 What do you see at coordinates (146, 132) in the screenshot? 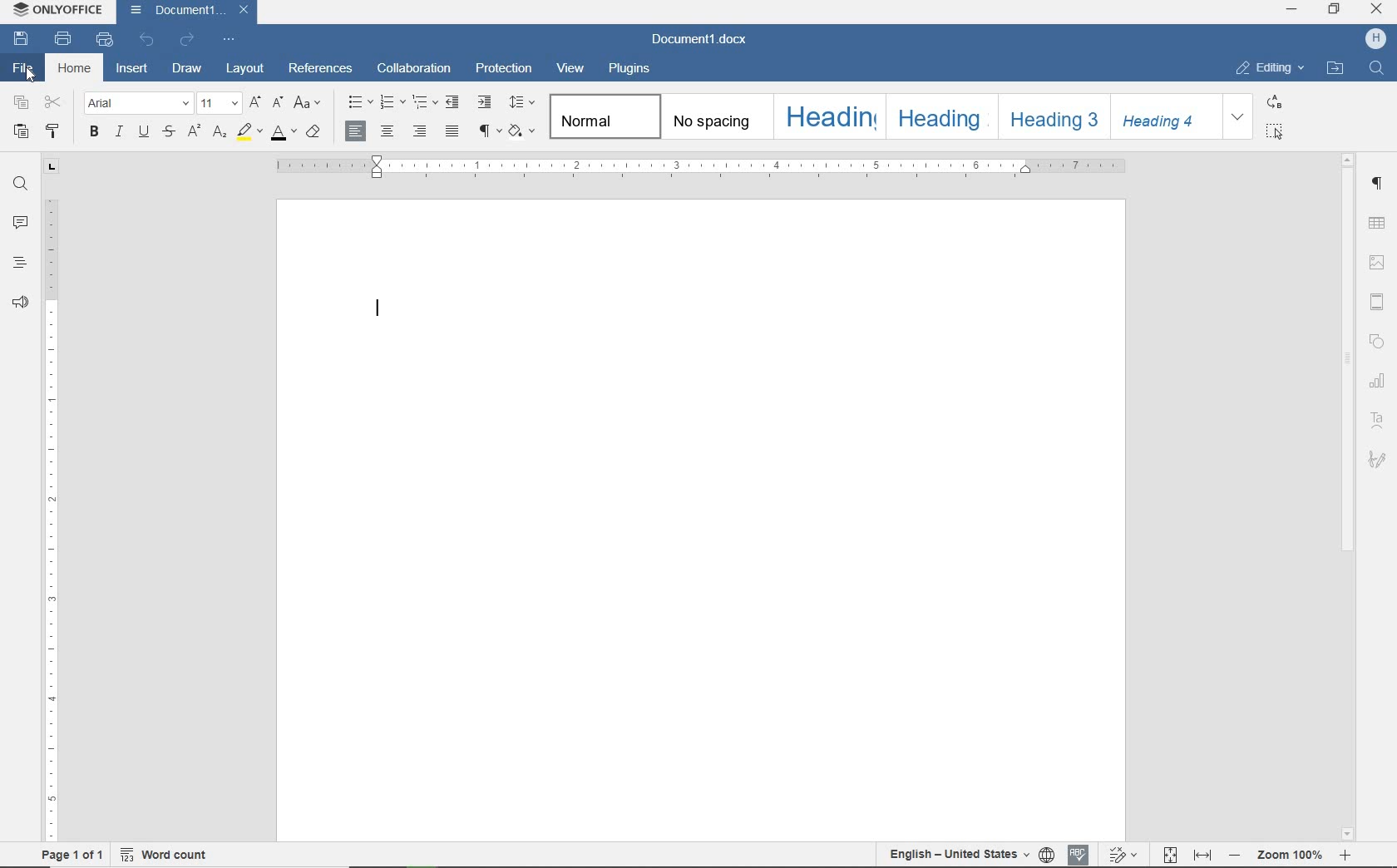
I see `underline` at bounding box center [146, 132].